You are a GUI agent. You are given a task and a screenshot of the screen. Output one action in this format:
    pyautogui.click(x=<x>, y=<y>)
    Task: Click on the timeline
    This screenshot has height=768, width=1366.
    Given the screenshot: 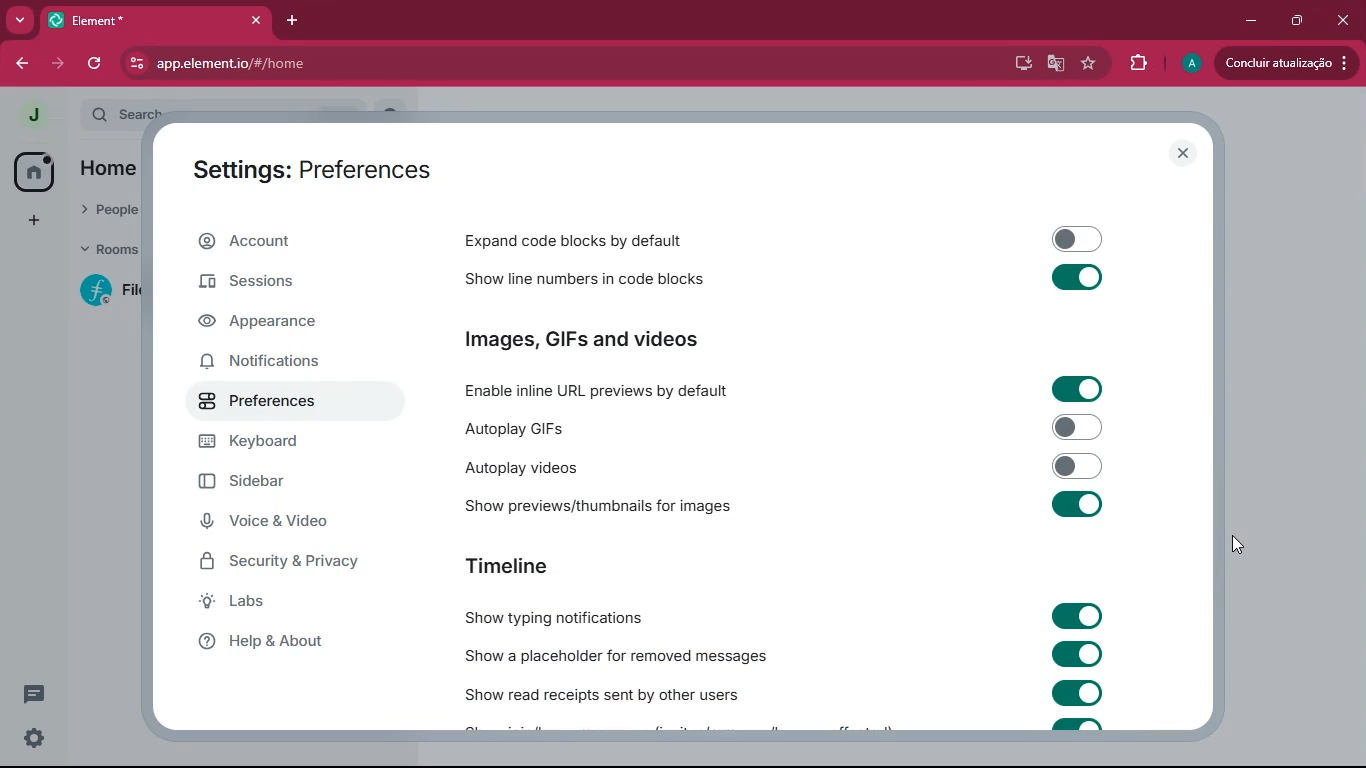 What is the action you would take?
    pyautogui.click(x=507, y=563)
    